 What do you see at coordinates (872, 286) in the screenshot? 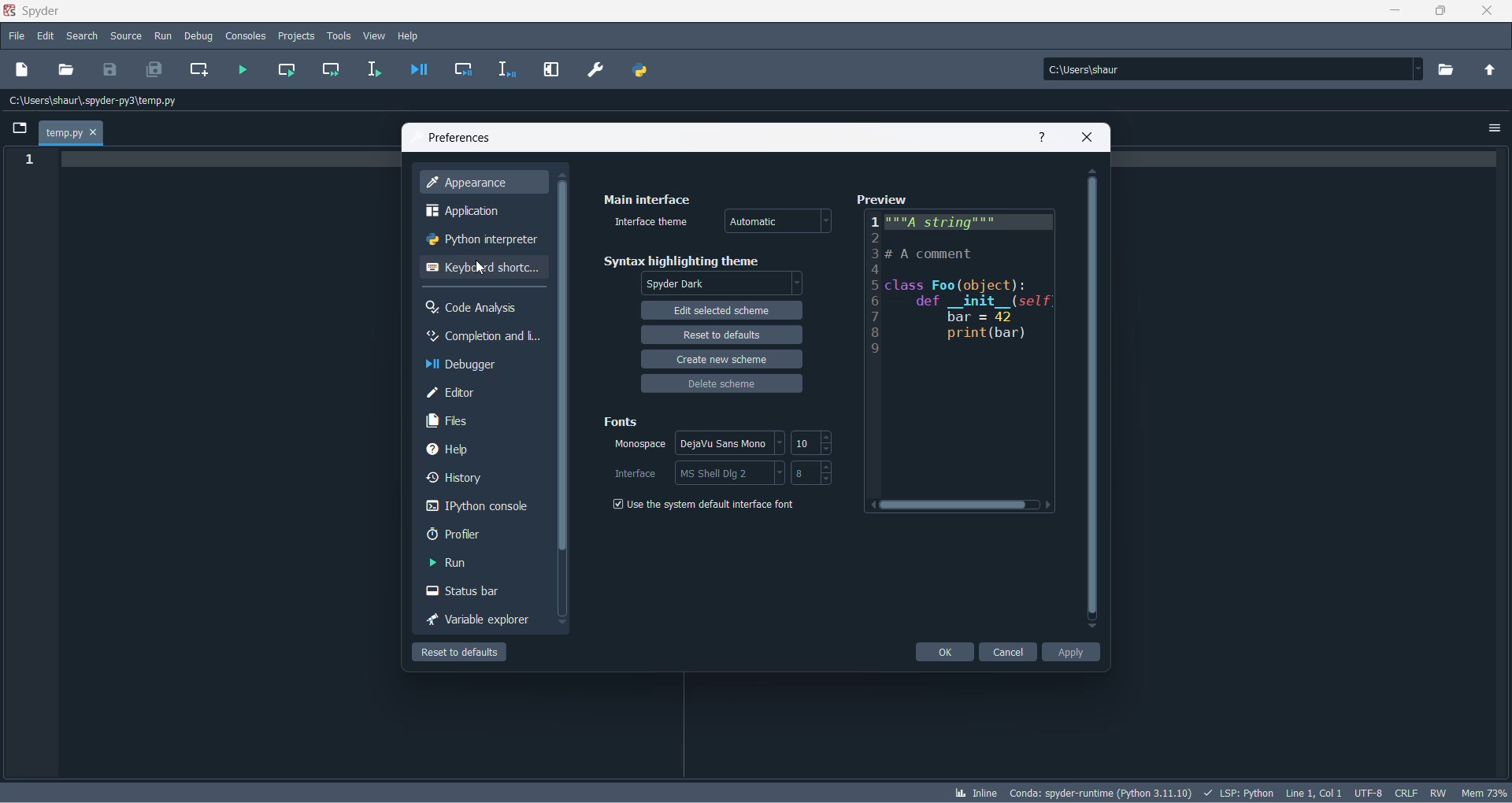
I see `line number` at bounding box center [872, 286].